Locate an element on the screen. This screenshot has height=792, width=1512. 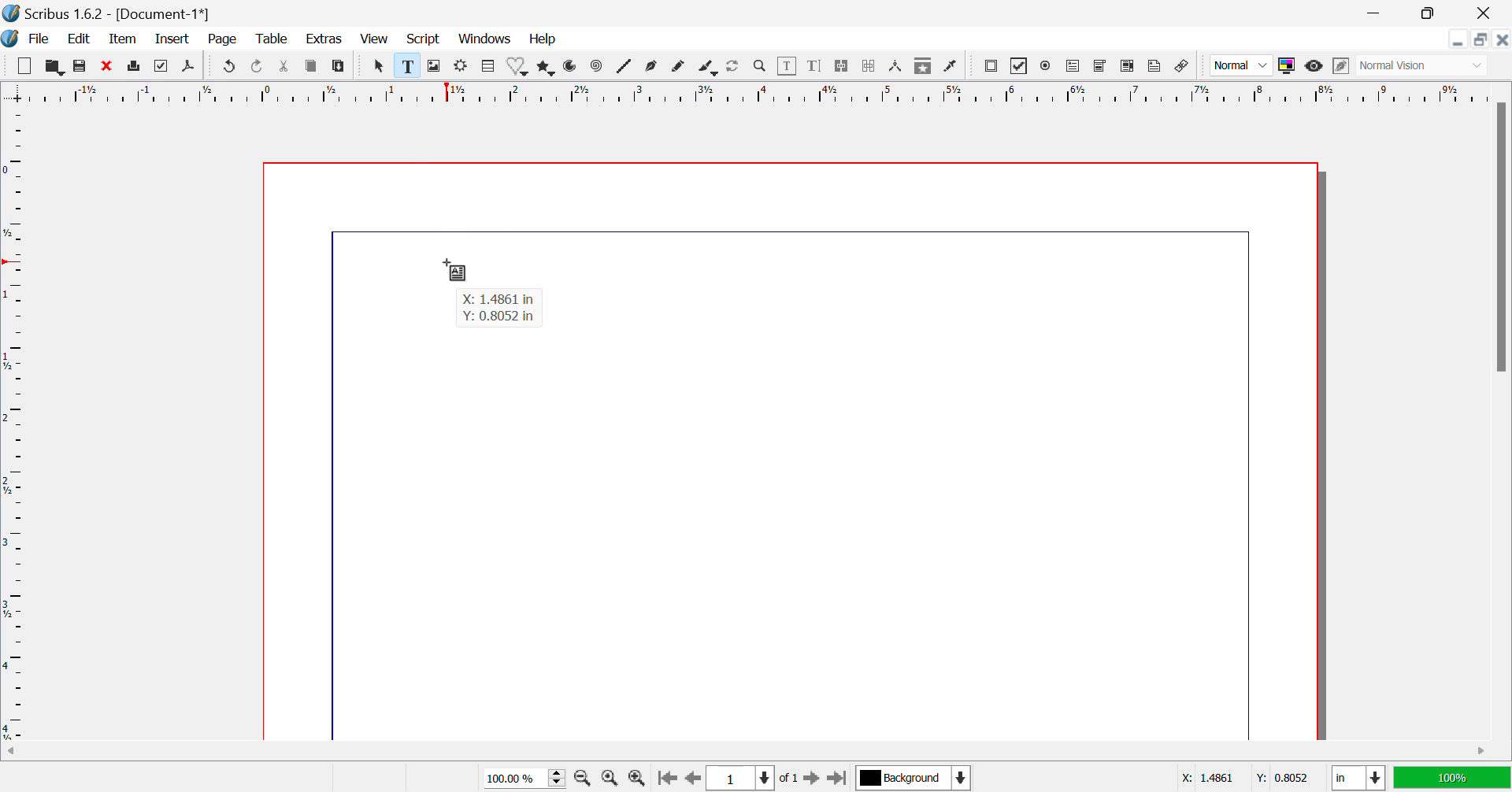
View is located at coordinates (375, 40).